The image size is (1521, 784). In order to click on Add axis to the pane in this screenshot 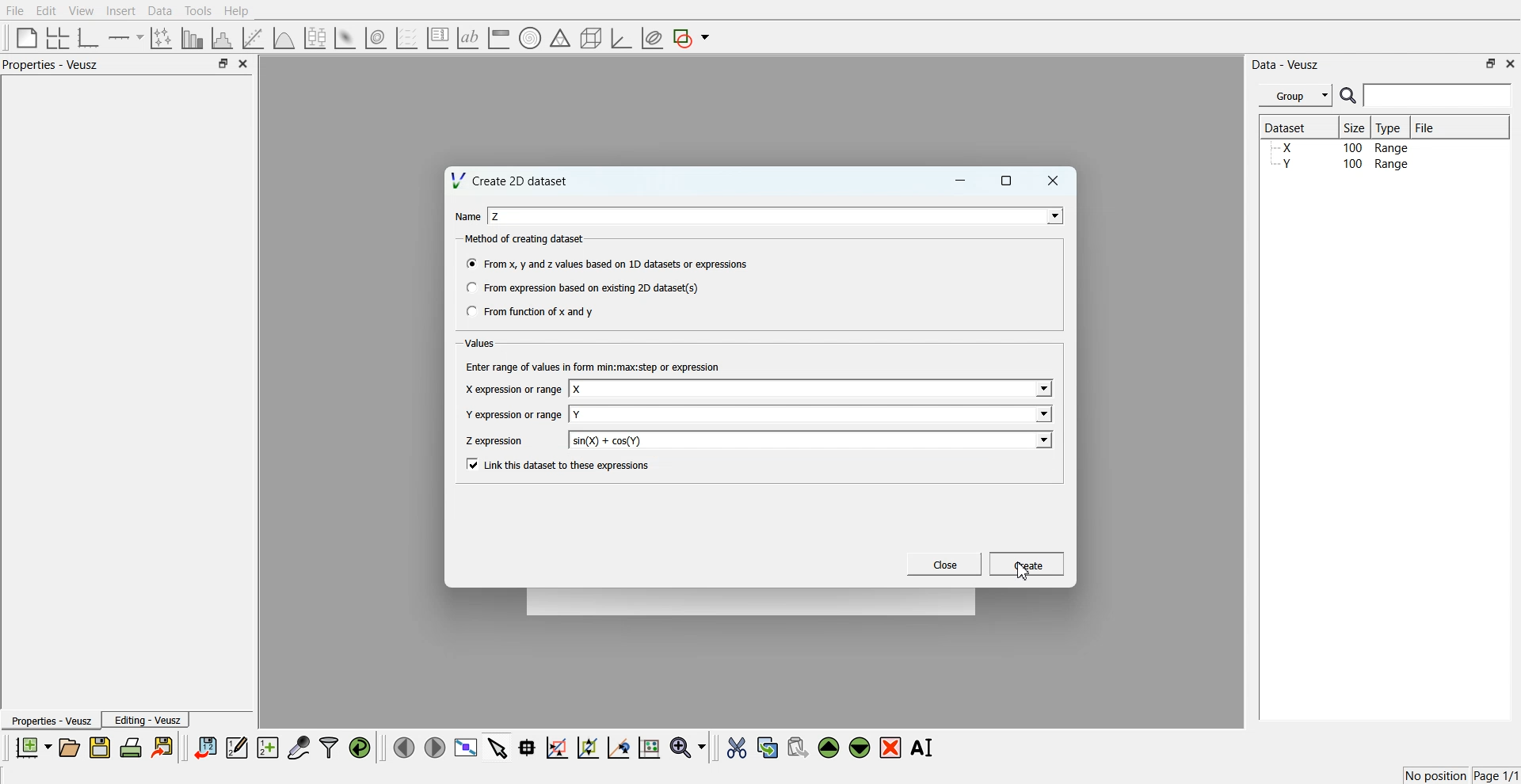, I will do `click(125, 39)`.